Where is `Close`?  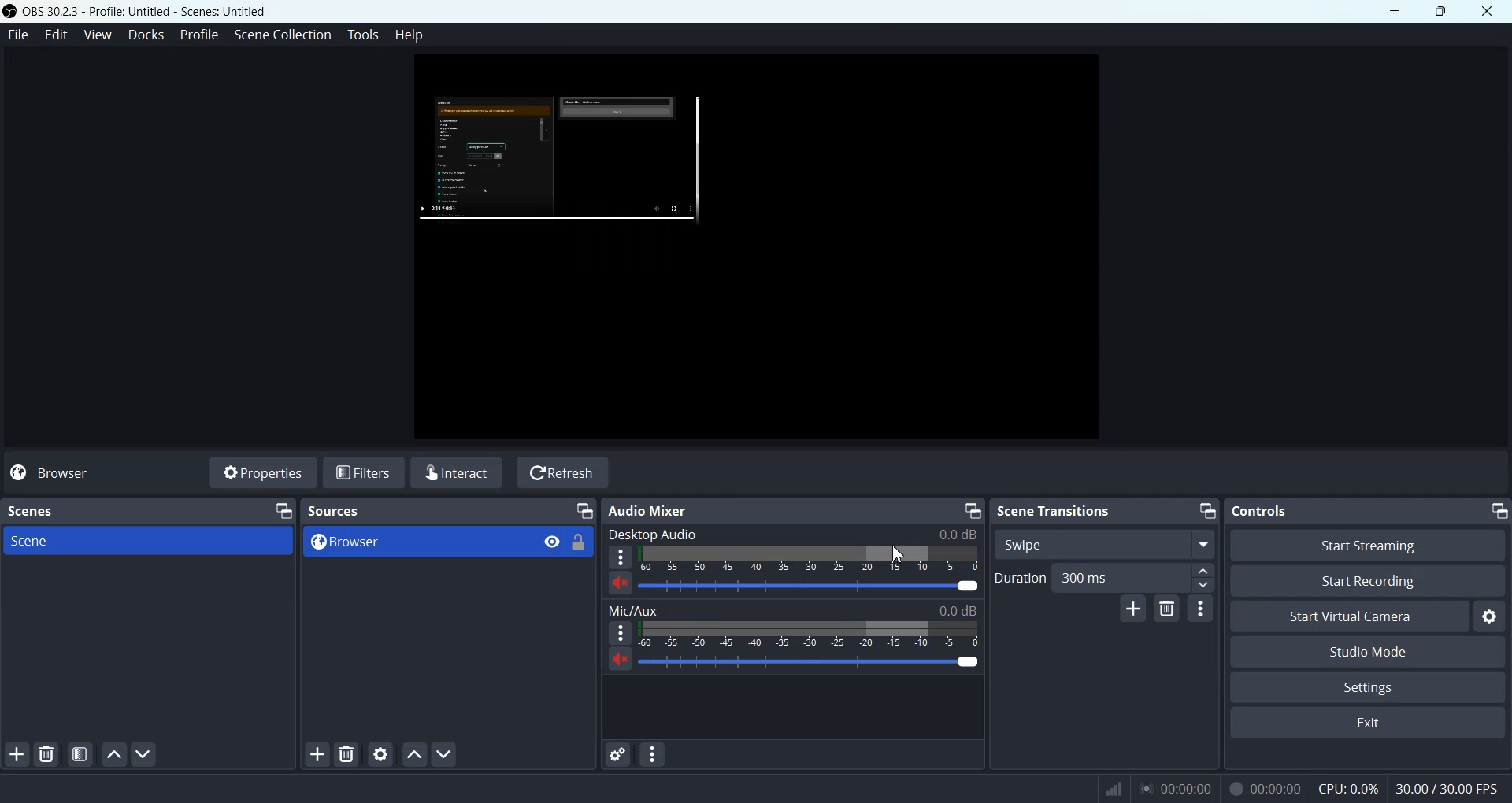 Close is located at coordinates (1488, 10).